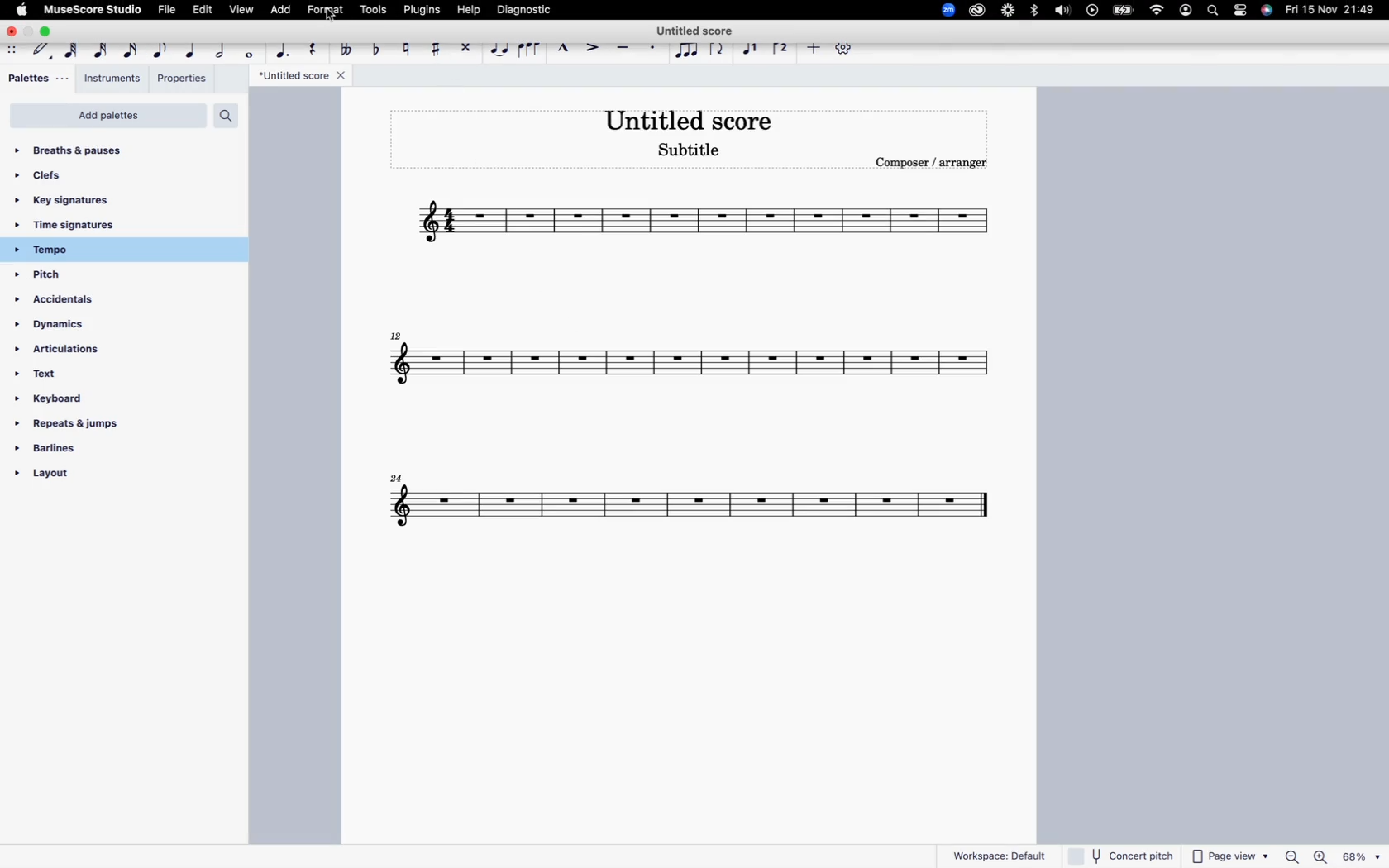 The height and width of the screenshot is (868, 1389). Describe the element at coordinates (191, 50) in the screenshot. I see `quarter note` at that location.